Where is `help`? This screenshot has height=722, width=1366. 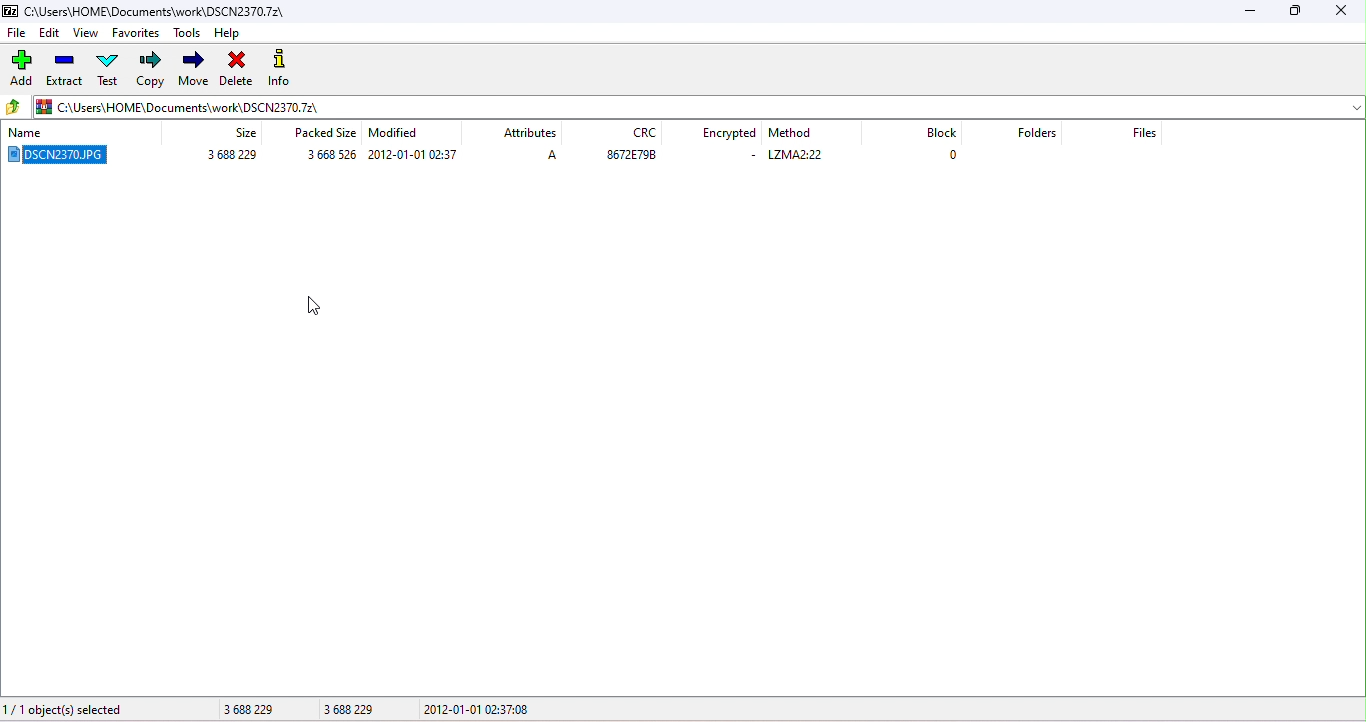 help is located at coordinates (231, 36).